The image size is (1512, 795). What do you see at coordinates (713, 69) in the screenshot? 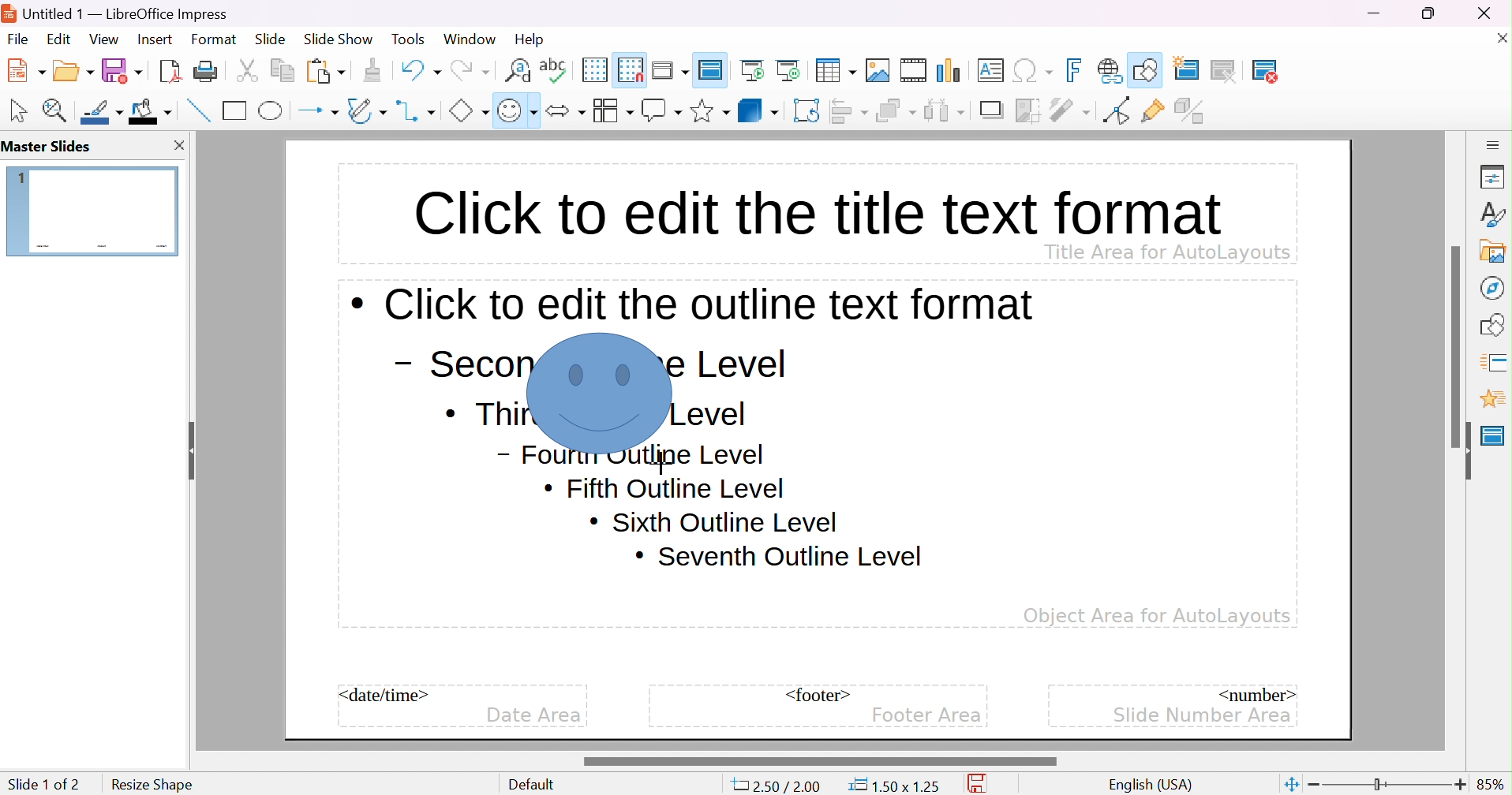
I see `master slide` at bounding box center [713, 69].